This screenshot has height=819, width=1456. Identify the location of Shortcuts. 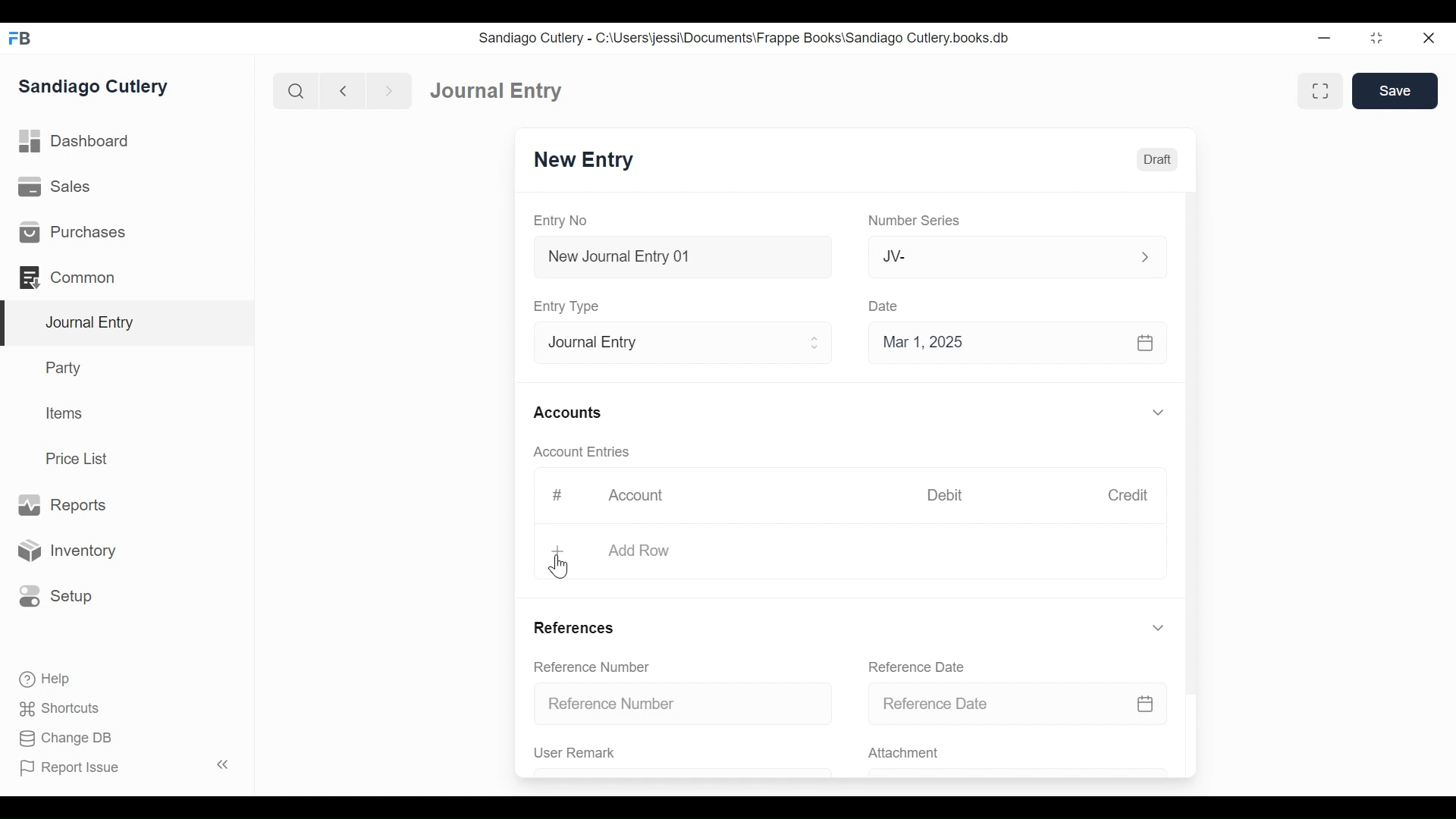
(52, 709).